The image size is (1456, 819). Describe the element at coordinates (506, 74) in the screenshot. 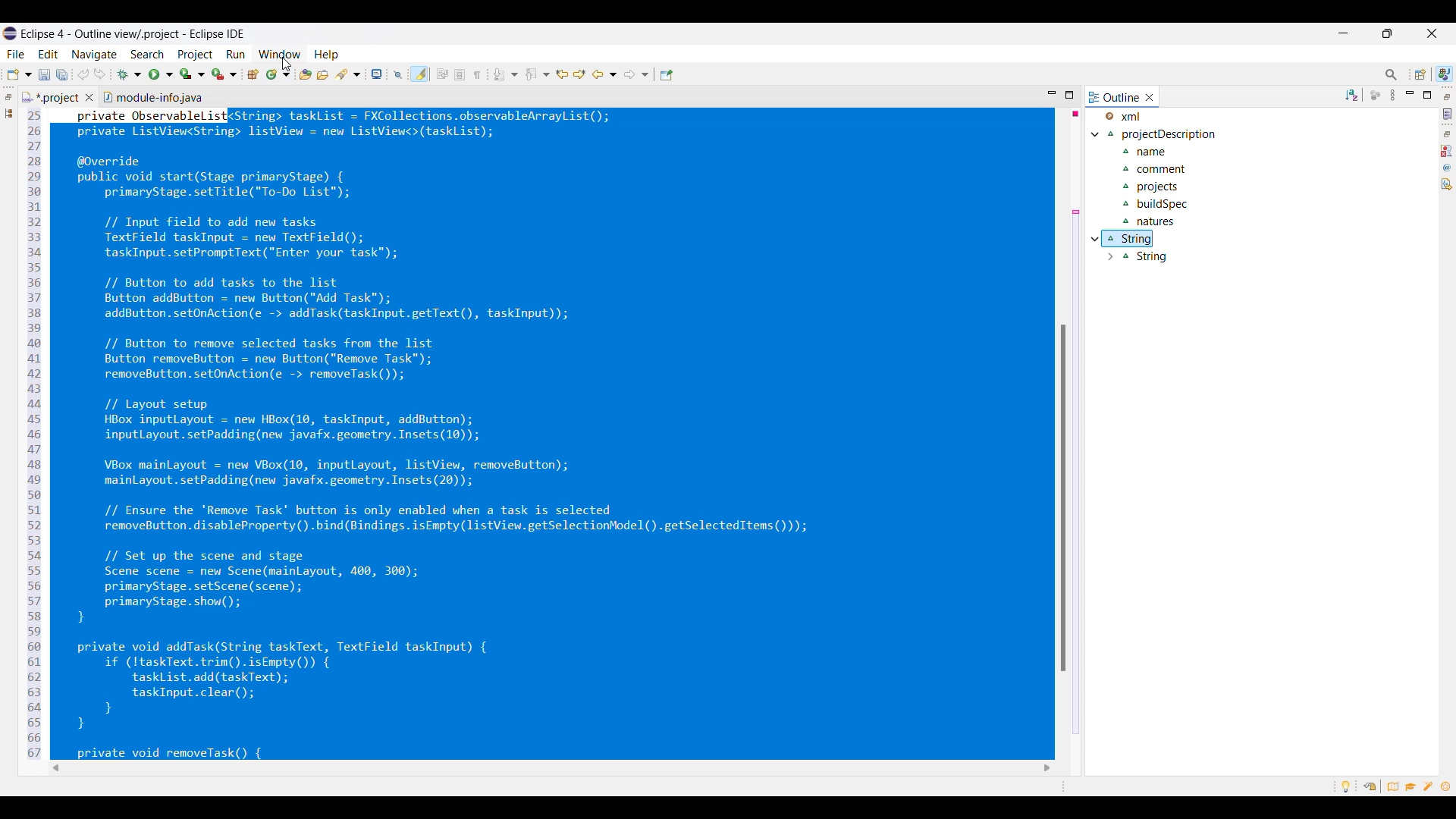

I see `Next annotations` at that location.